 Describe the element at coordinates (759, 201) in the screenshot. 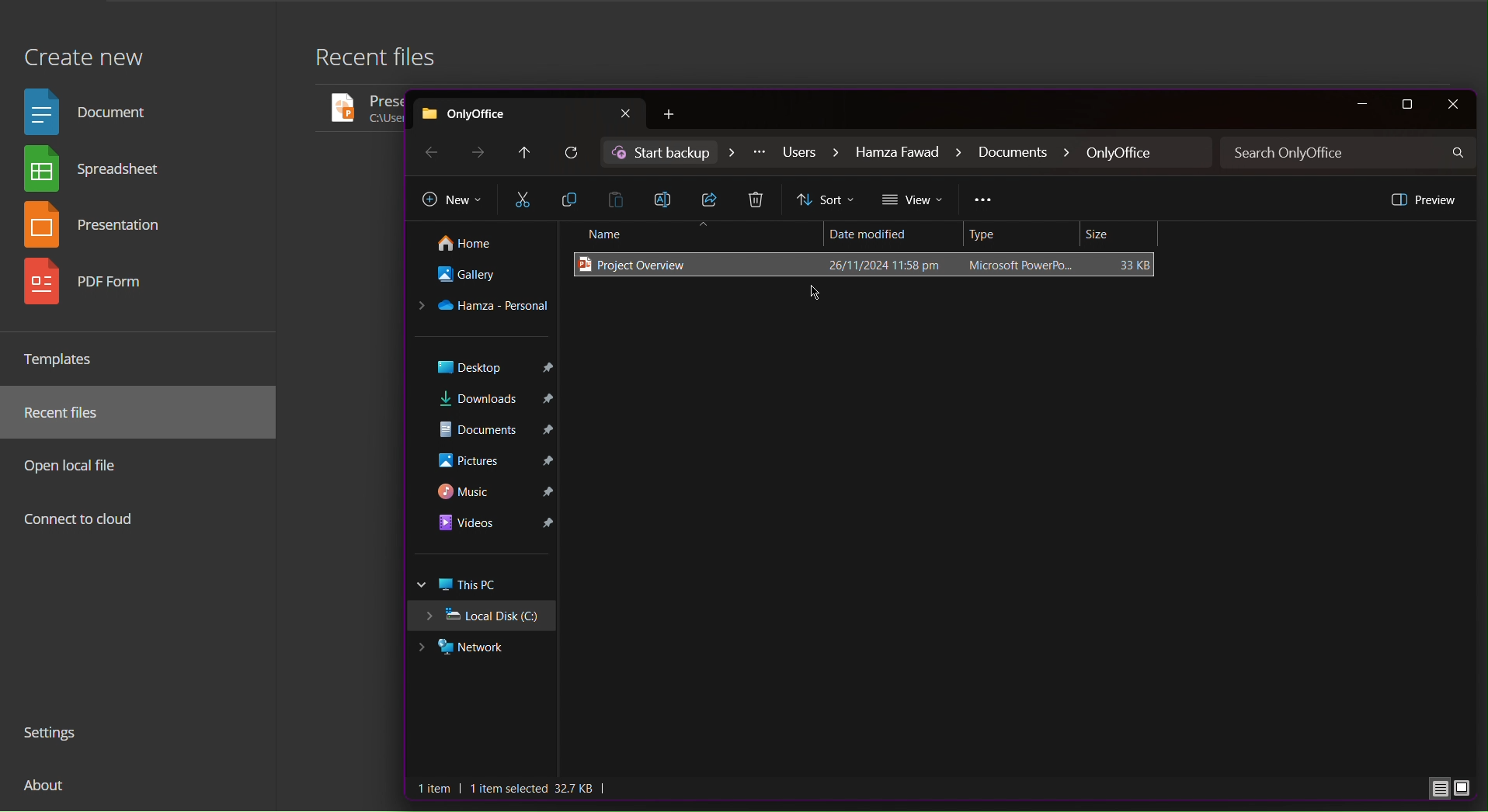

I see `Delete` at that location.